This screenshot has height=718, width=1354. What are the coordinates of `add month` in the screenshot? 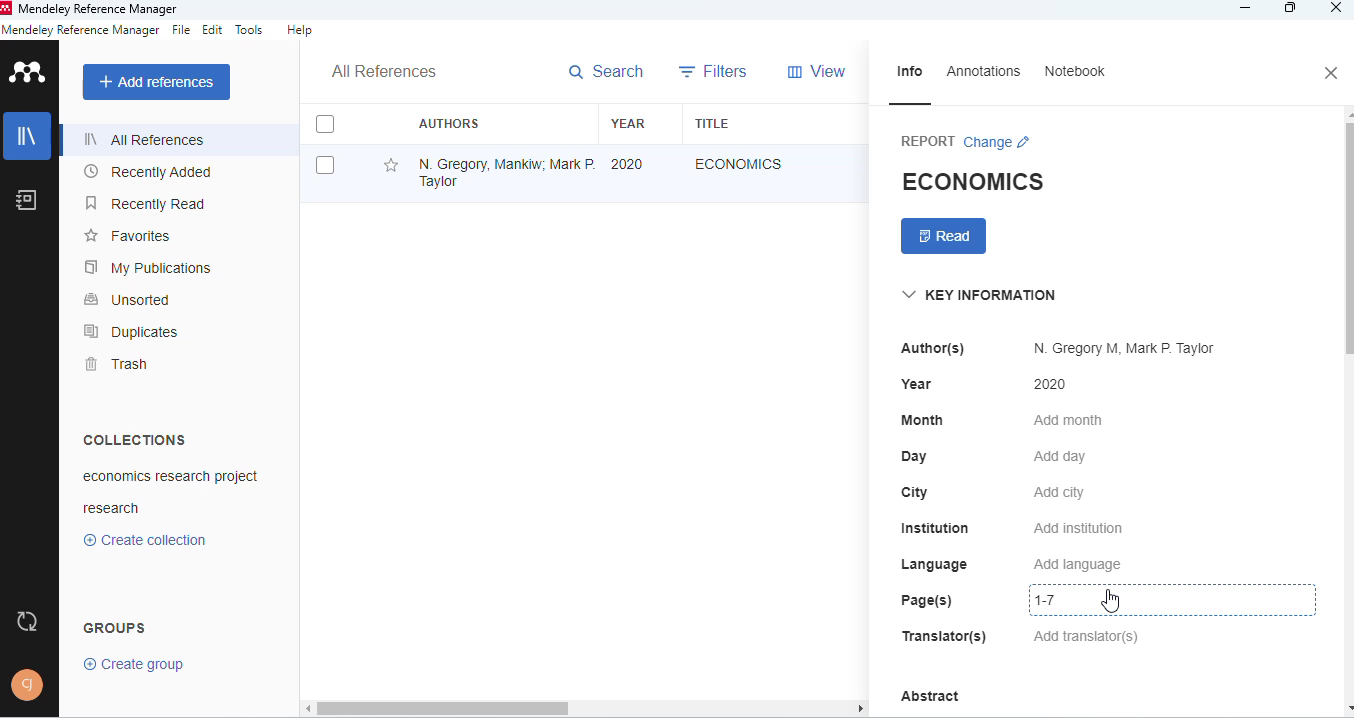 It's located at (1069, 420).